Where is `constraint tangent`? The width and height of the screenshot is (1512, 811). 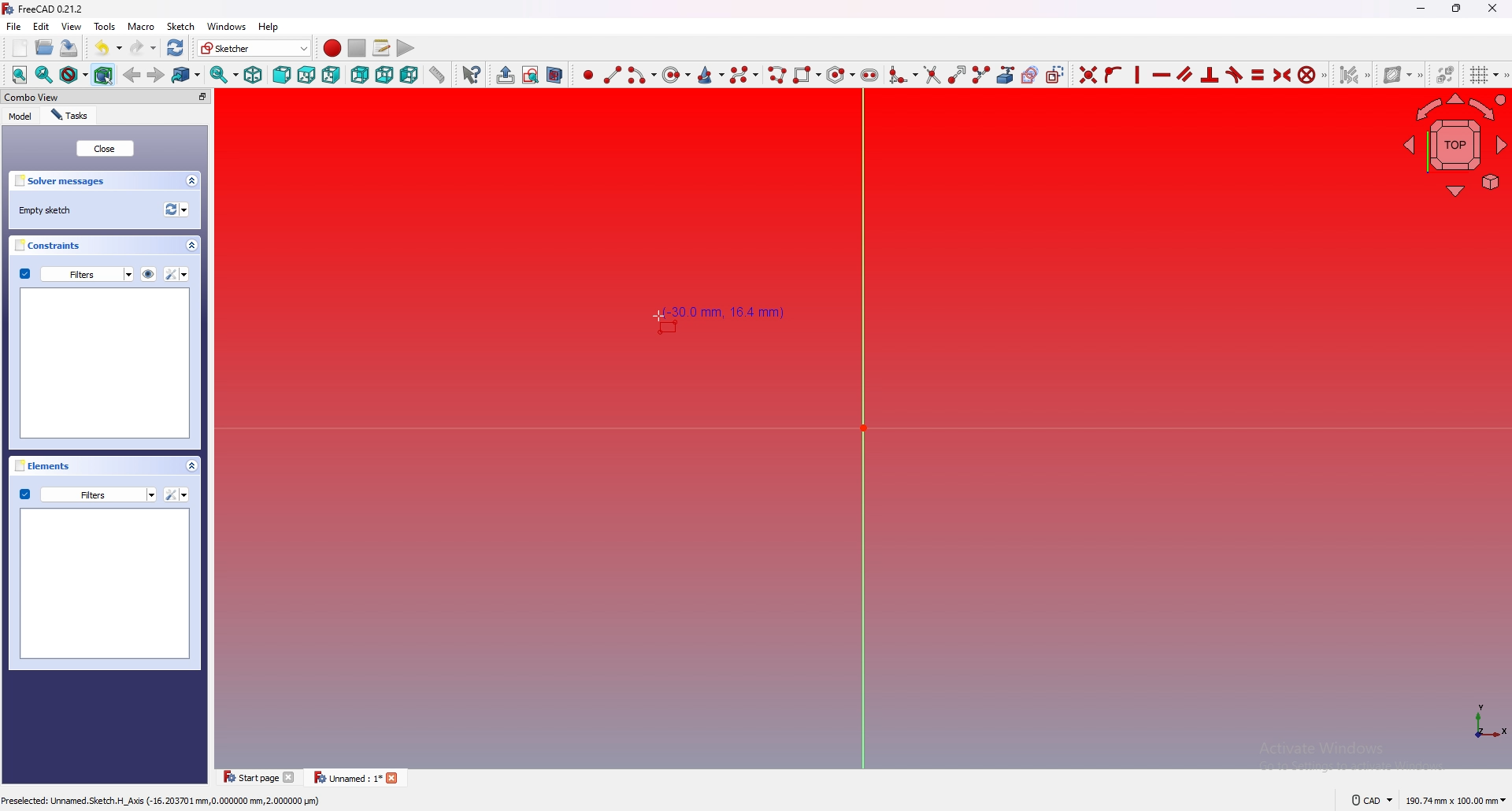
constraint tangent is located at coordinates (1234, 75).